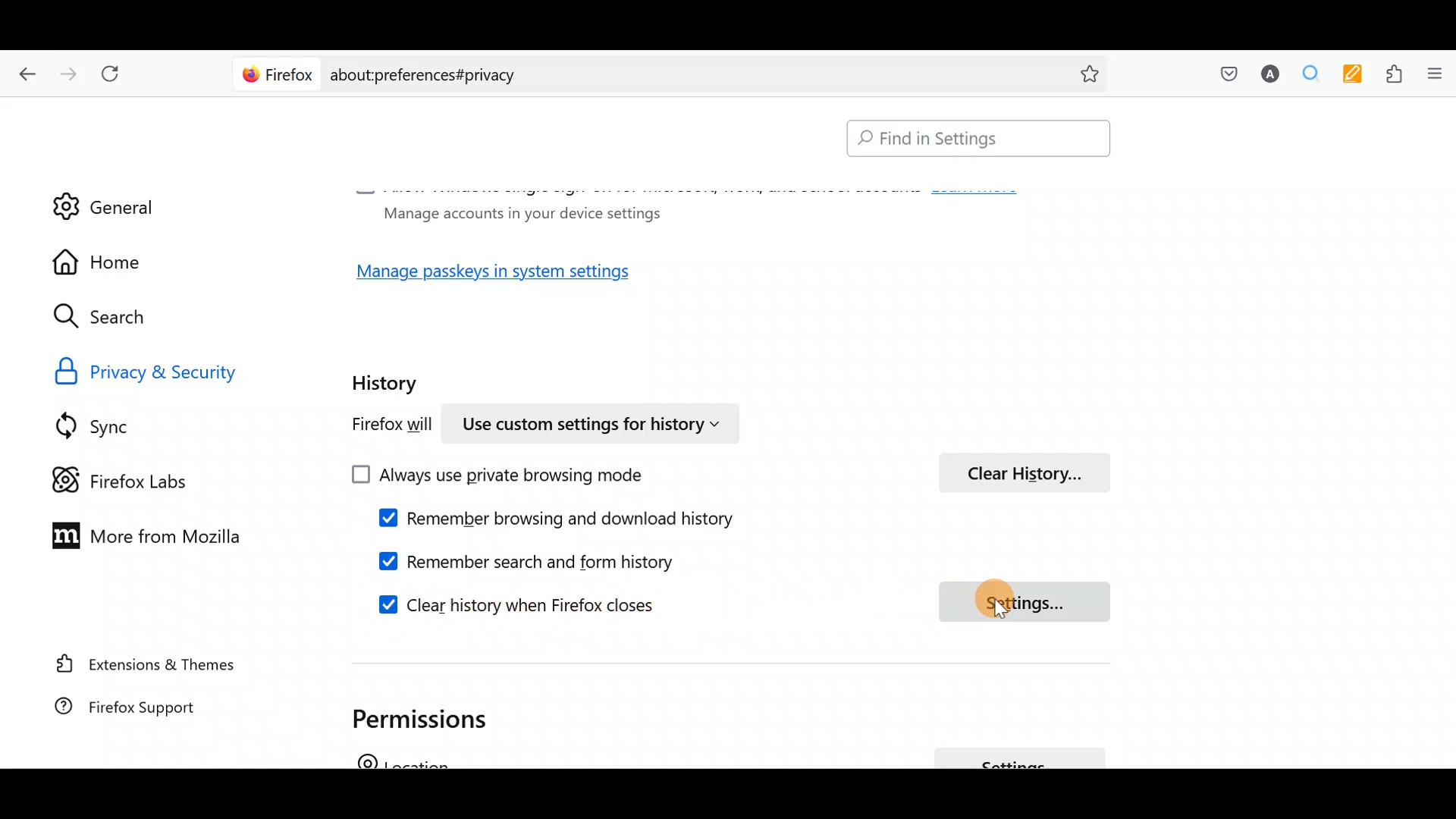  What do you see at coordinates (115, 74) in the screenshot?
I see `Reload current page` at bounding box center [115, 74].